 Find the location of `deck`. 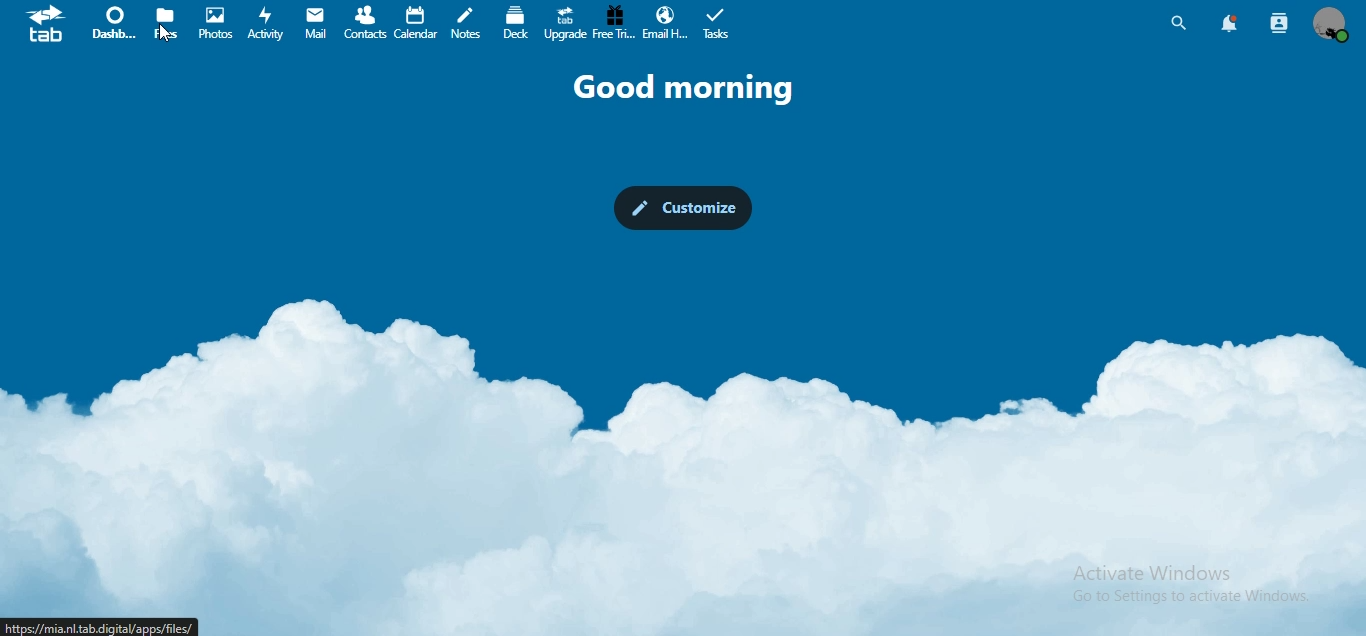

deck is located at coordinates (517, 22).